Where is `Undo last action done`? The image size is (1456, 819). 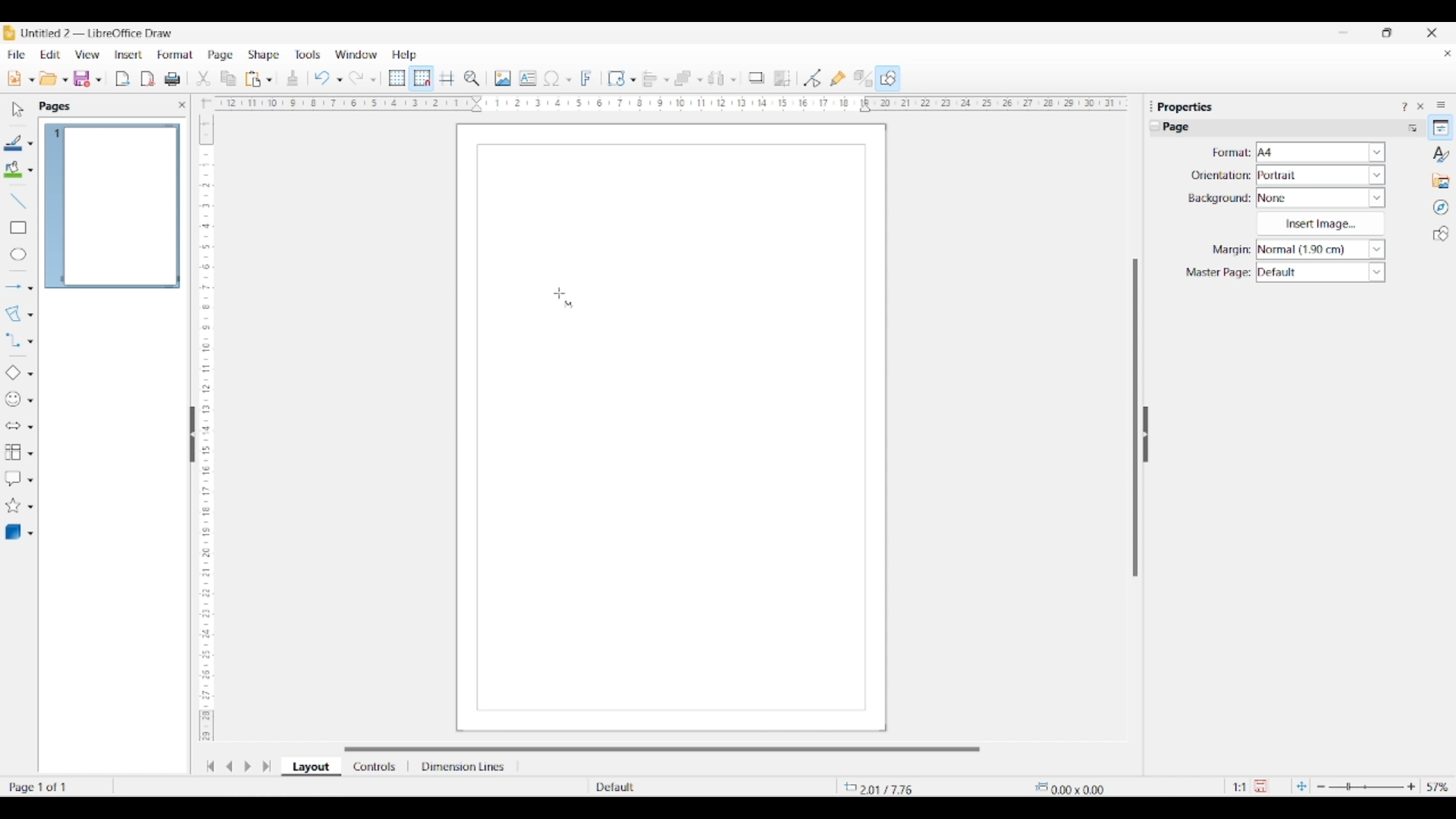 Undo last action done is located at coordinates (322, 77).